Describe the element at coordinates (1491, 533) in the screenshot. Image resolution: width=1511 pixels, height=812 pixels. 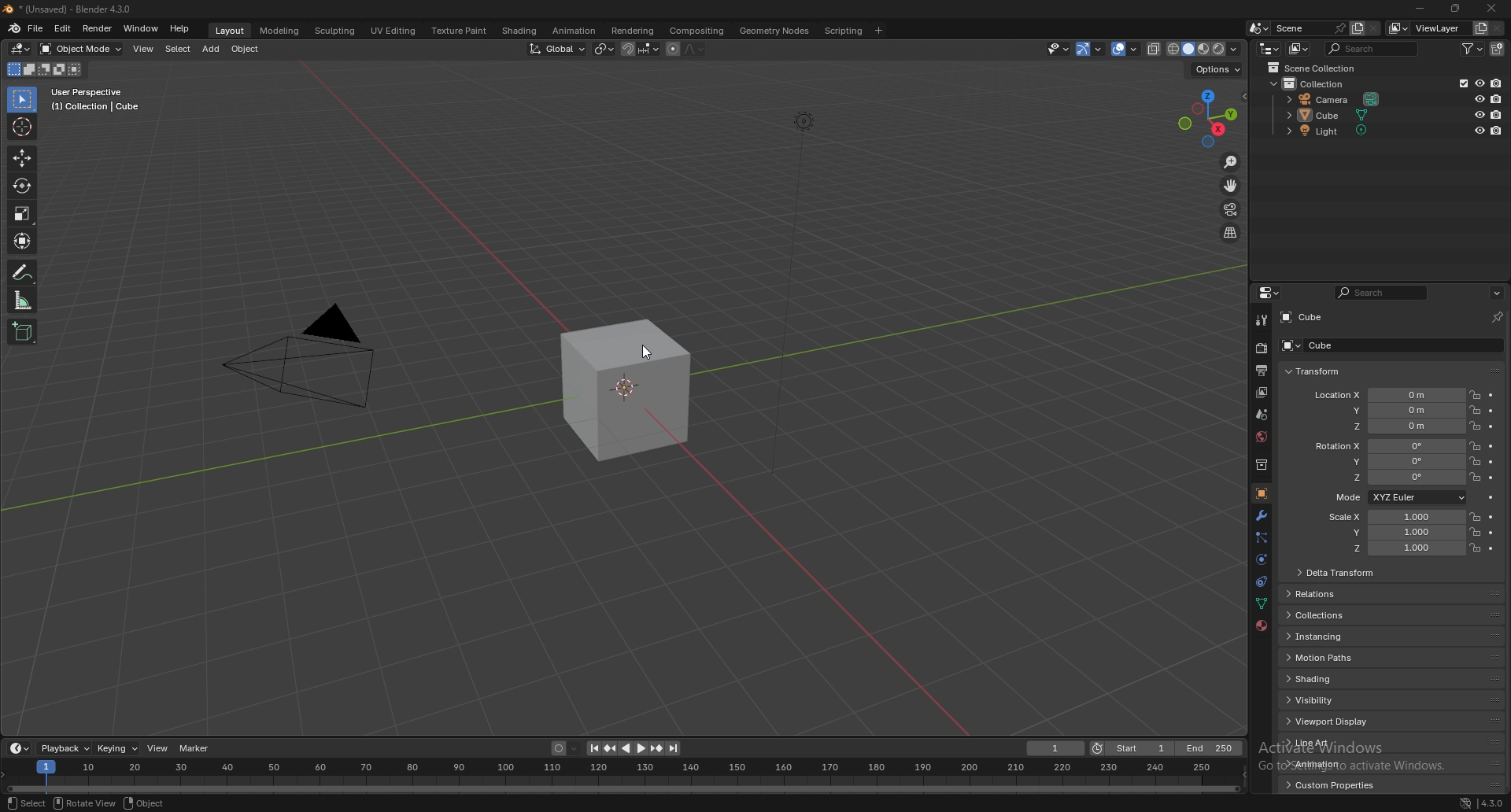
I see `animate property` at that location.